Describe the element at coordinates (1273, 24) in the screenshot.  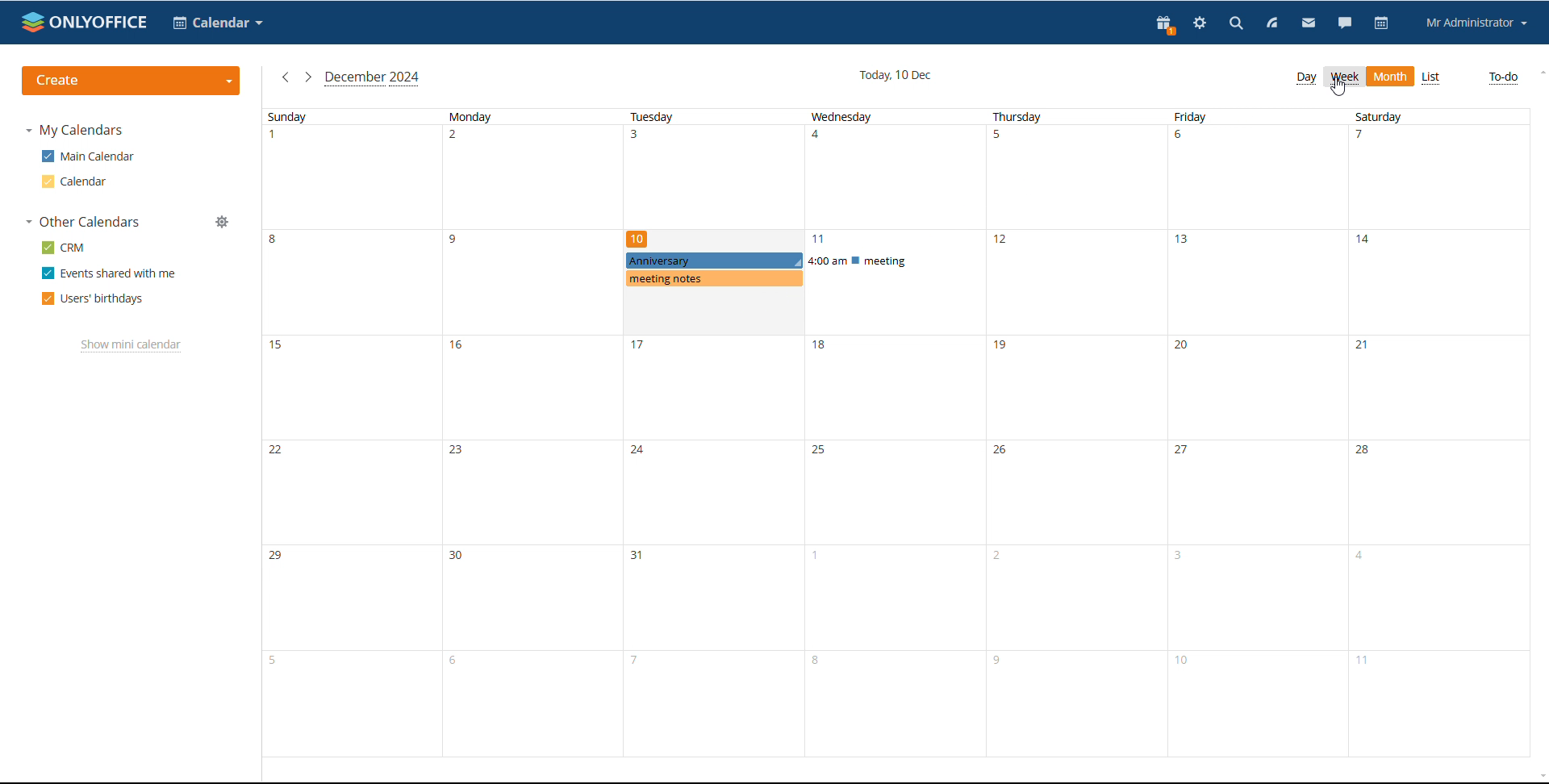
I see `feed` at that location.